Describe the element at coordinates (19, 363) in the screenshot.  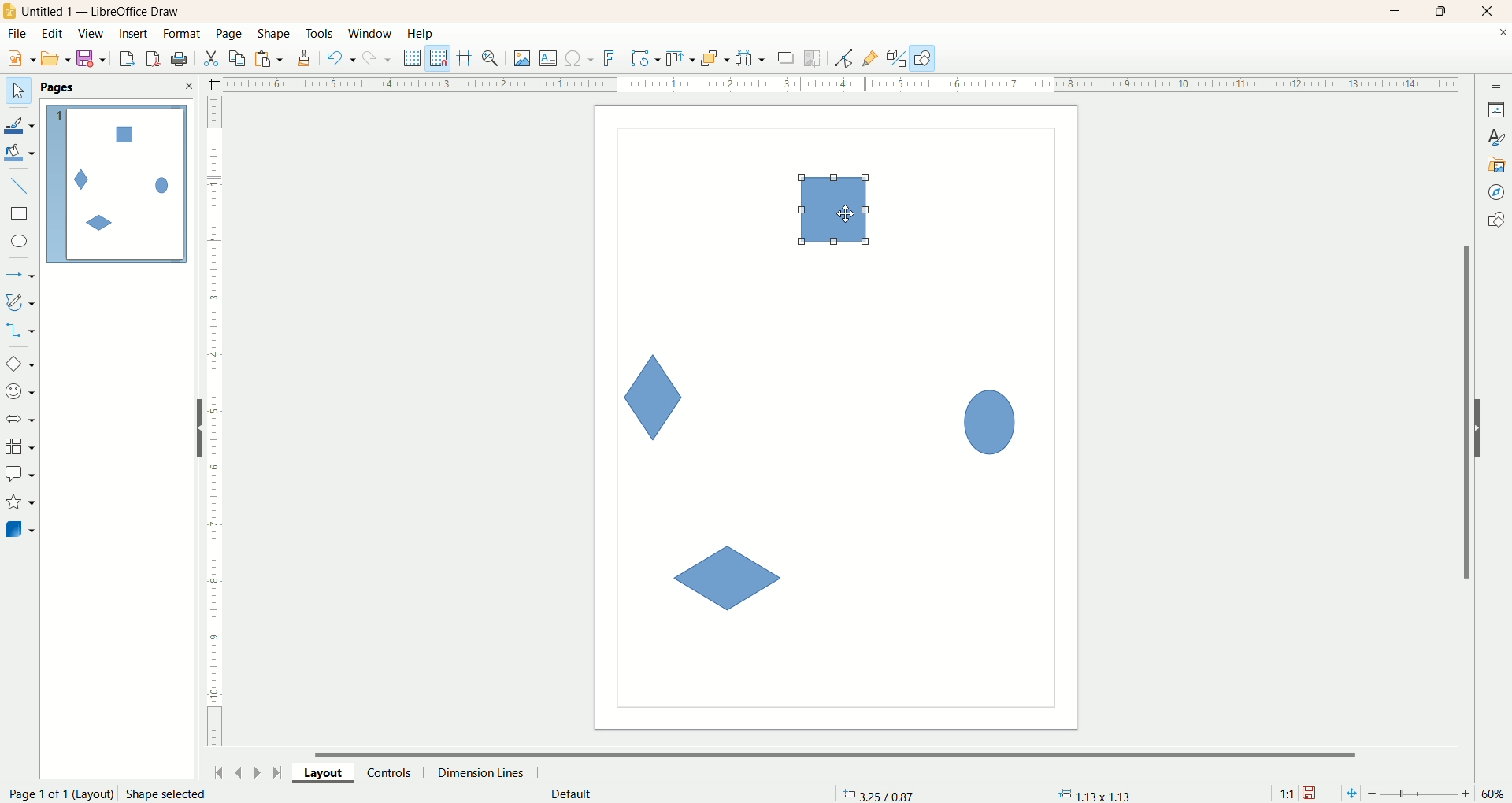
I see `basic shape` at that location.